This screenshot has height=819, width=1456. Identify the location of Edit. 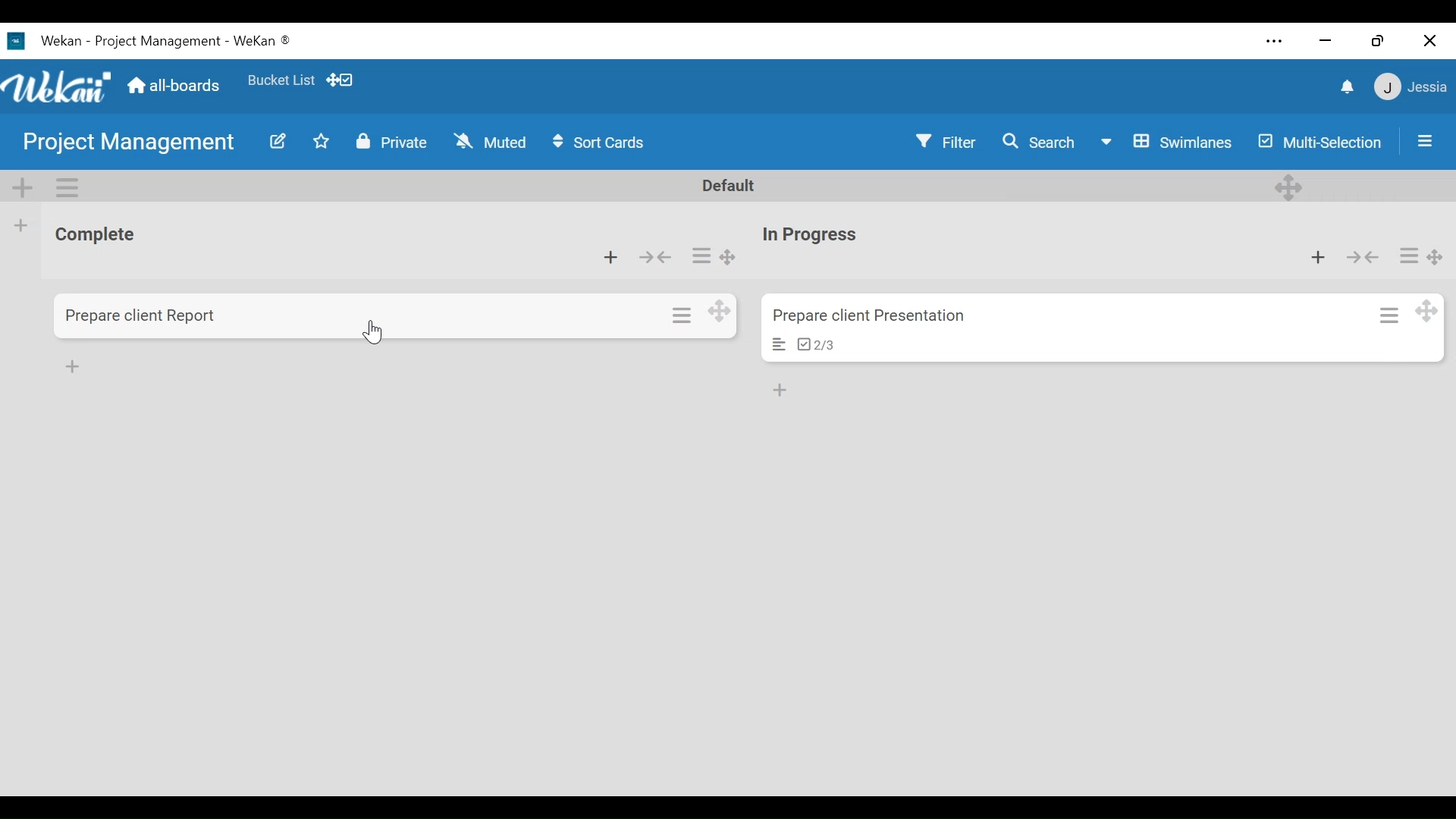
(279, 143).